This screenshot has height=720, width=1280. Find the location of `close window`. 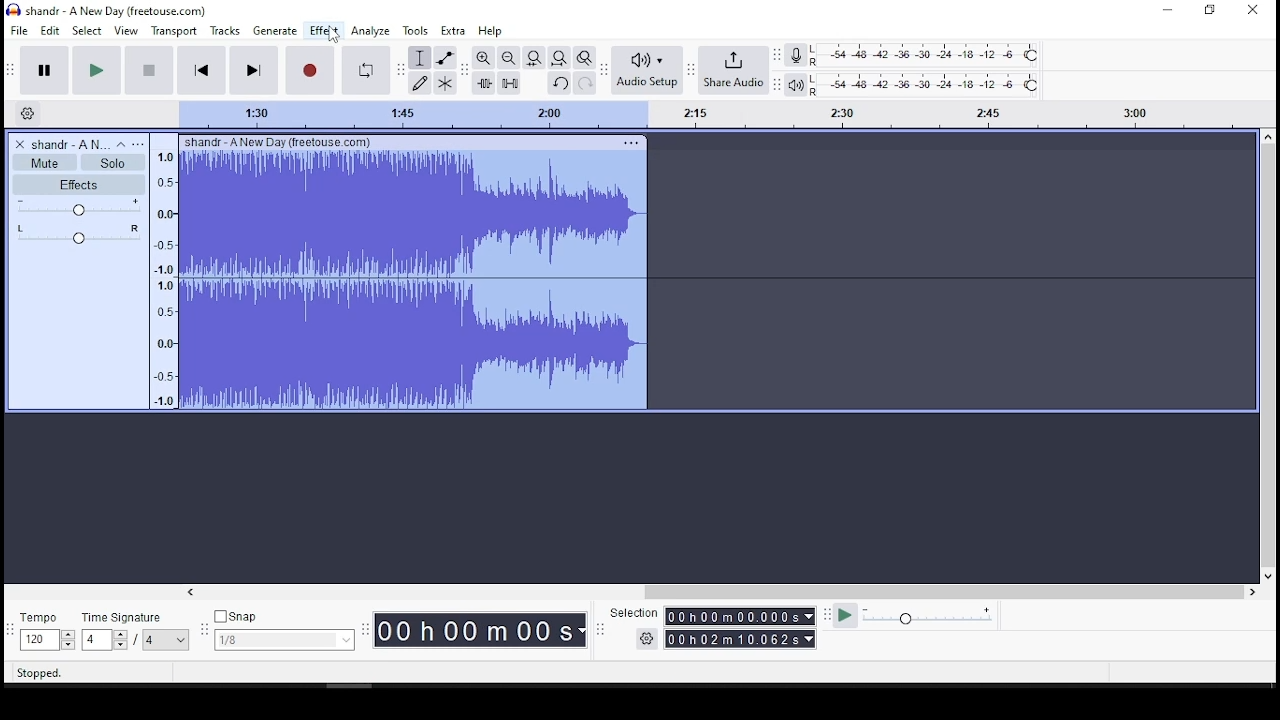

close window is located at coordinates (1255, 11).